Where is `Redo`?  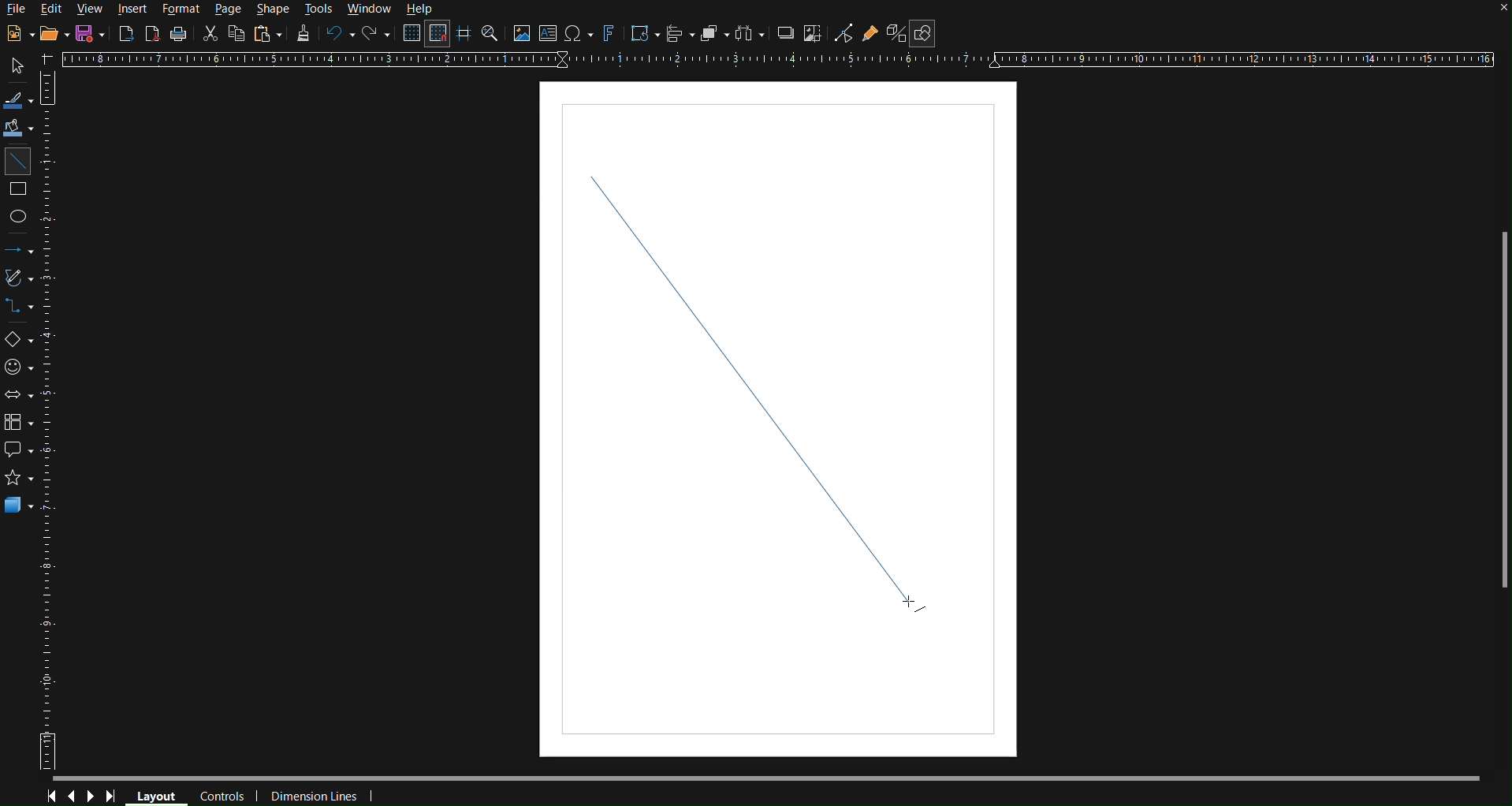
Redo is located at coordinates (378, 34).